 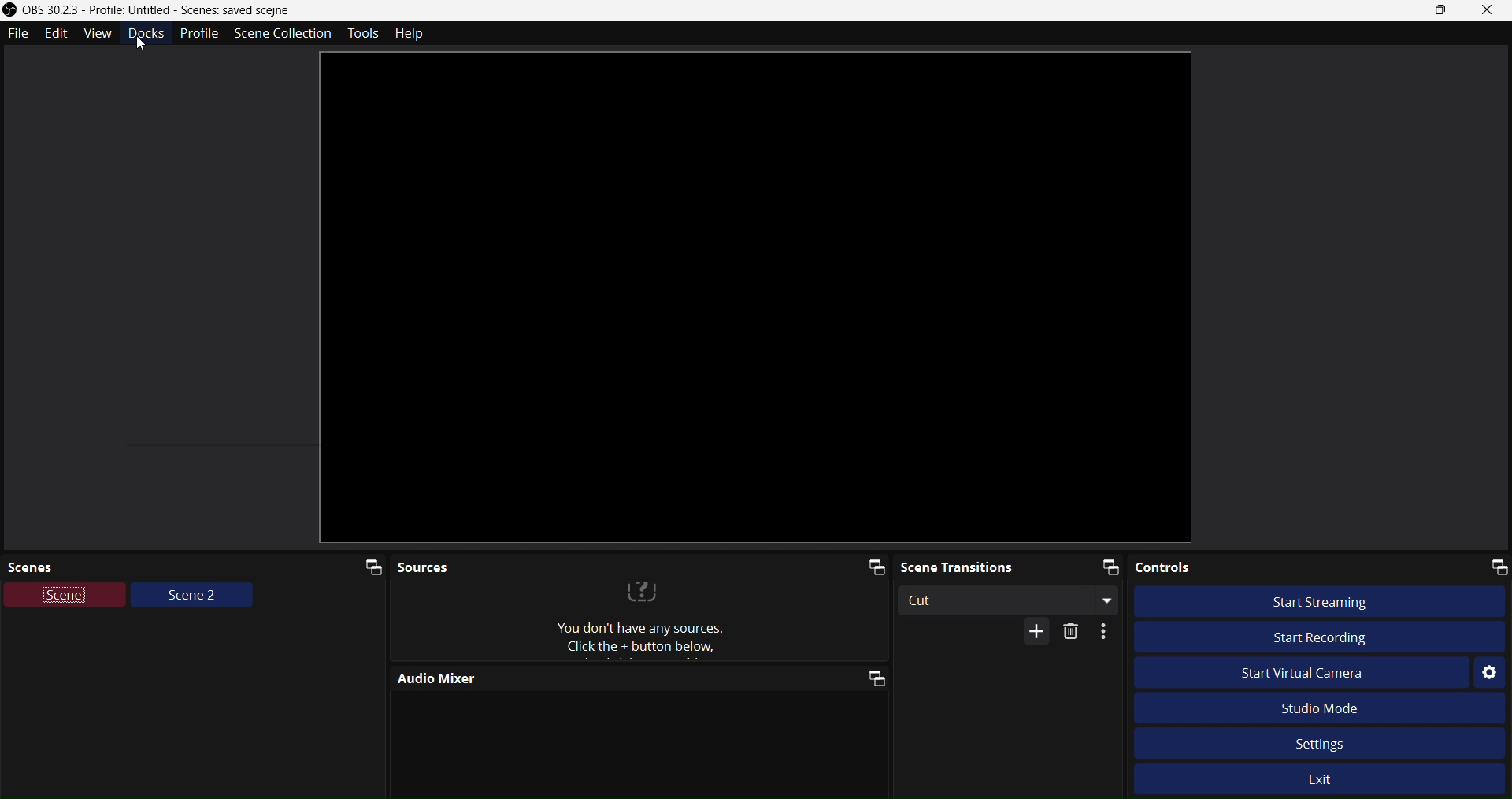 I want to click on Tools, so click(x=358, y=34).